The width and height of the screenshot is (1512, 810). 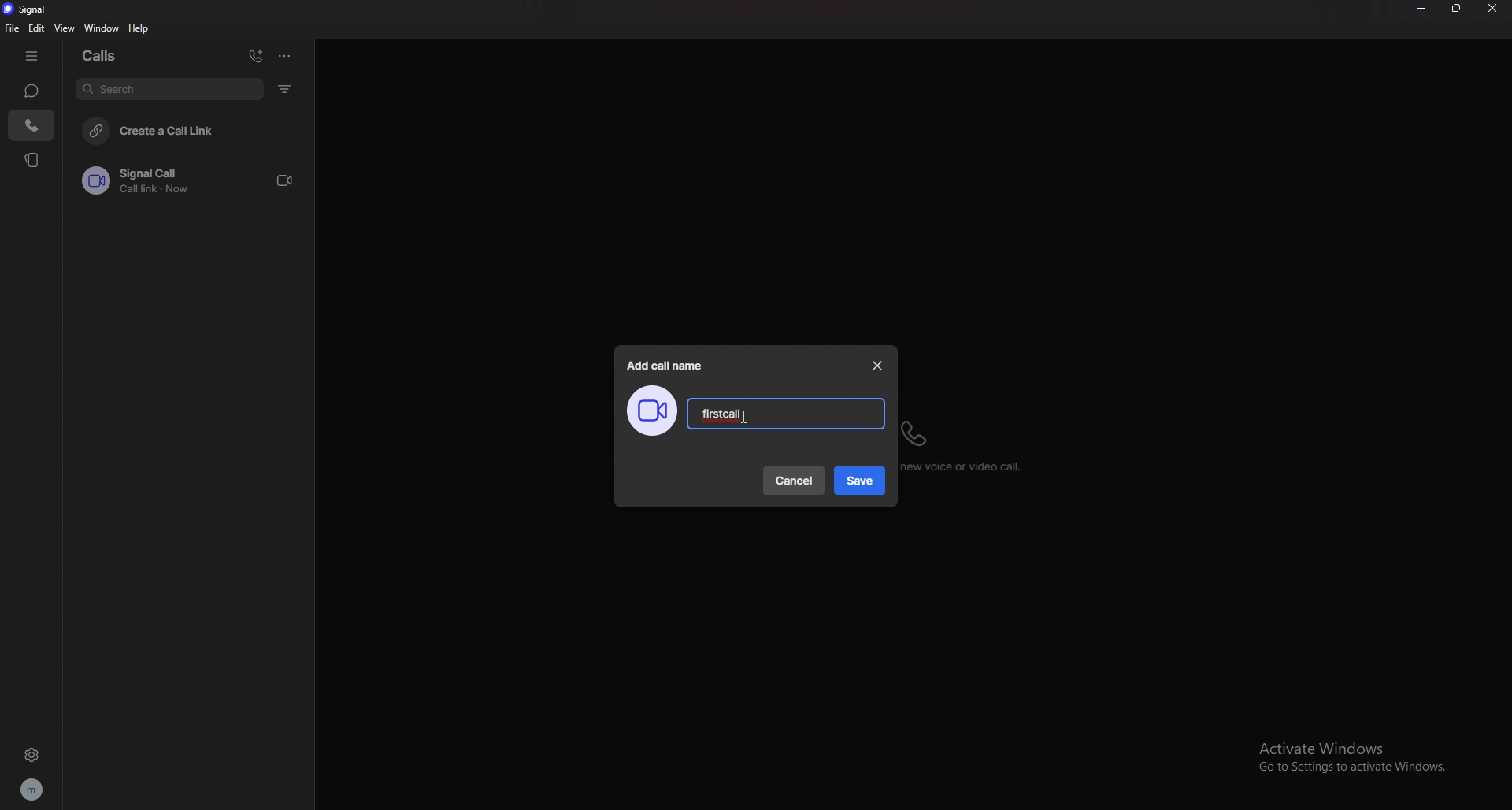 What do you see at coordinates (795, 481) in the screenshot?
I see `cancel` at bounding box center [795, 481].